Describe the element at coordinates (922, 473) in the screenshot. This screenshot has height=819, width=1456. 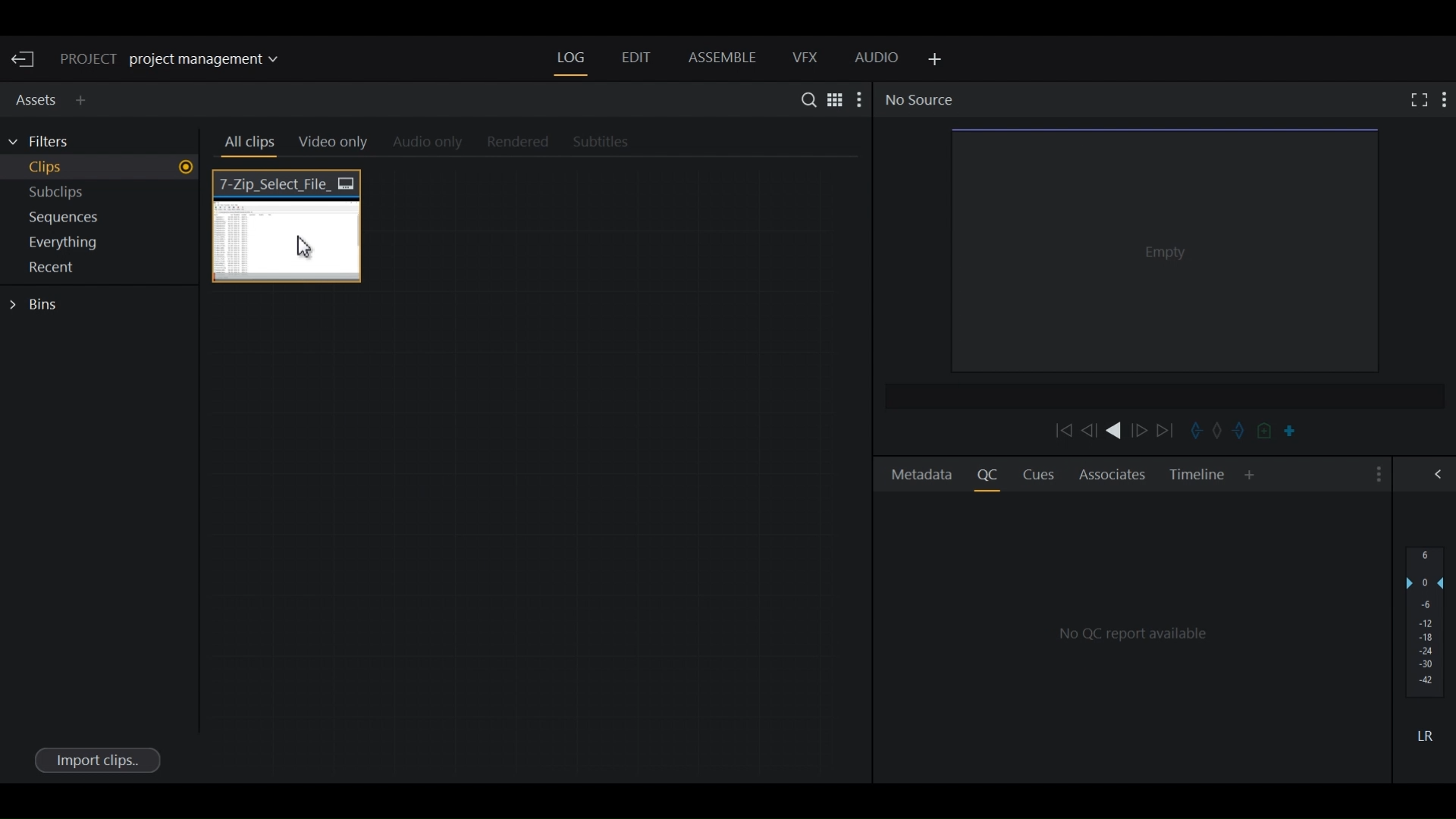
I see `Metadata` at that location.